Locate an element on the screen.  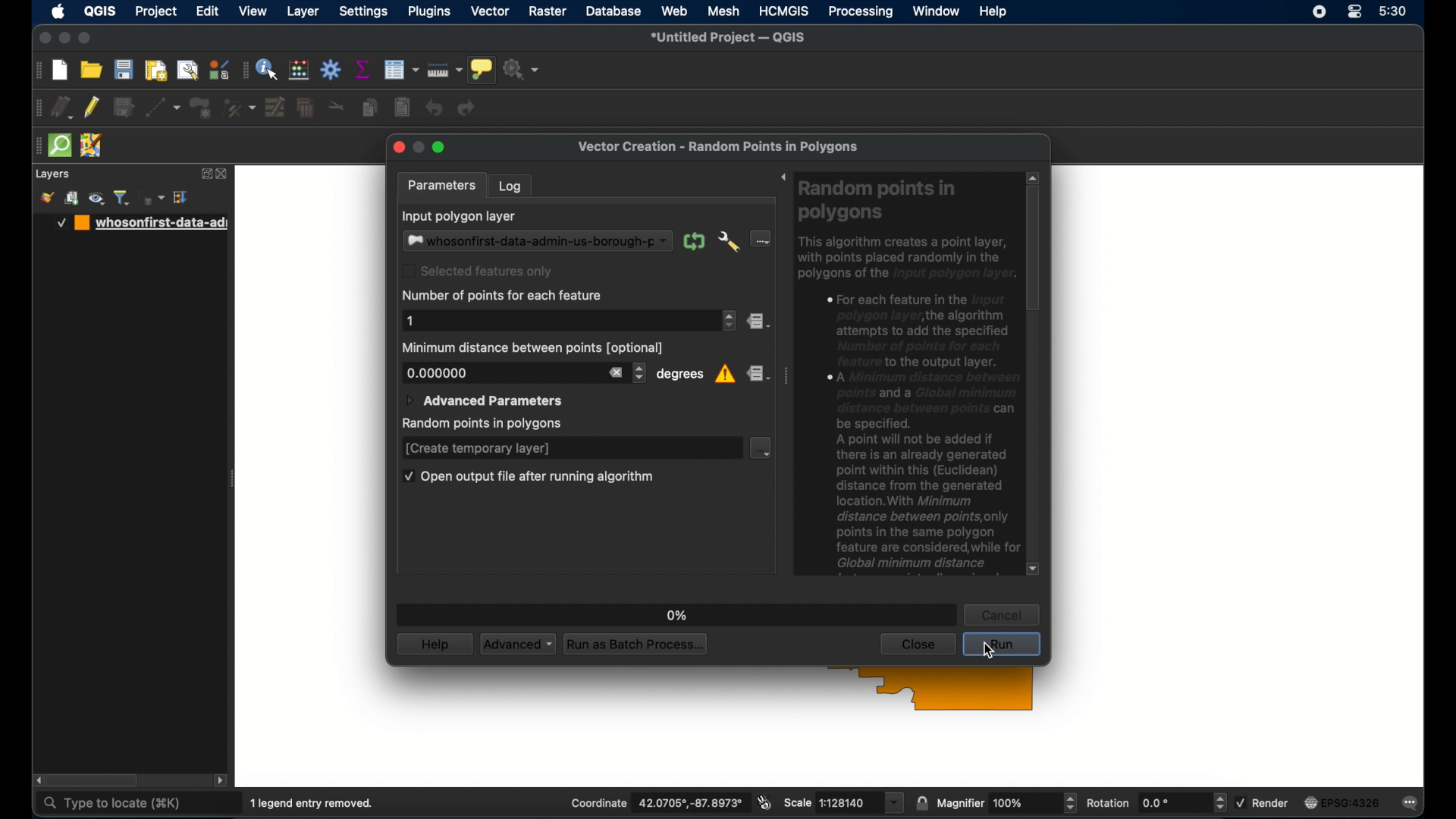
inactive minimize button is located at coordinates (419, 146).